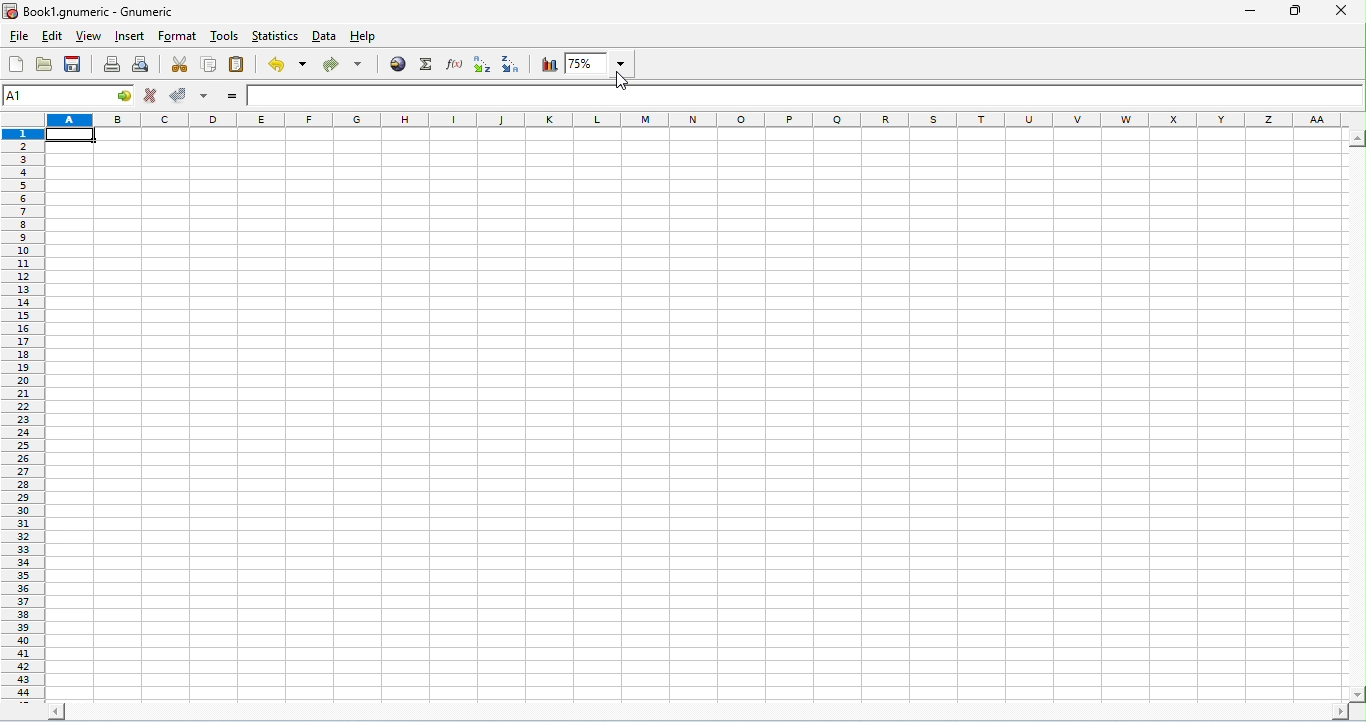 This screenshot has width=1366, height=722. Describe the element at coordinates (17, 64) in the screenshot. I see `new` at that location.